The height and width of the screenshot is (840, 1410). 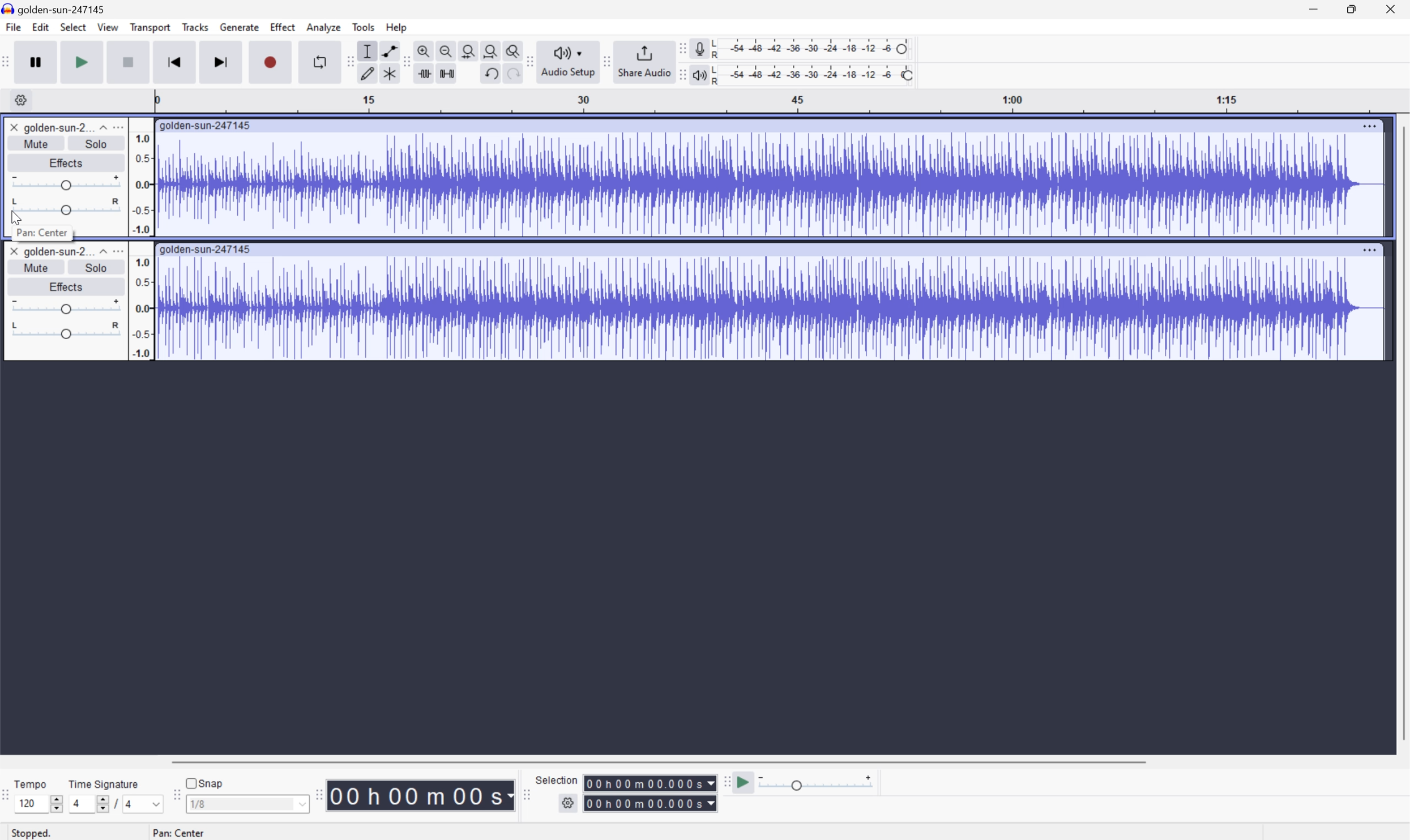 I want to click on Fit selection to width, so click(x=466, y=49).